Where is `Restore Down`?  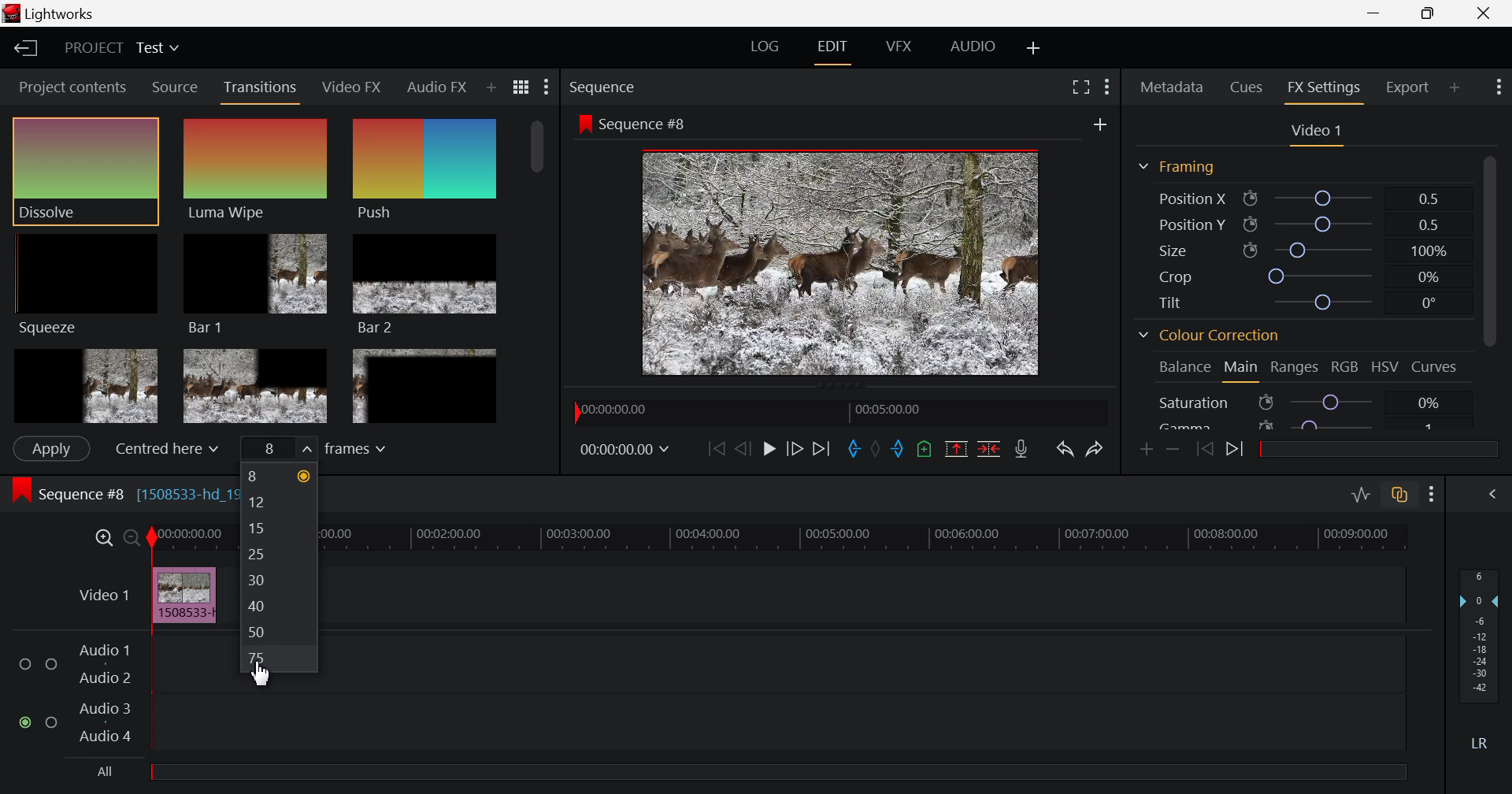 Restore Down is located at coordinates (1377, 15).